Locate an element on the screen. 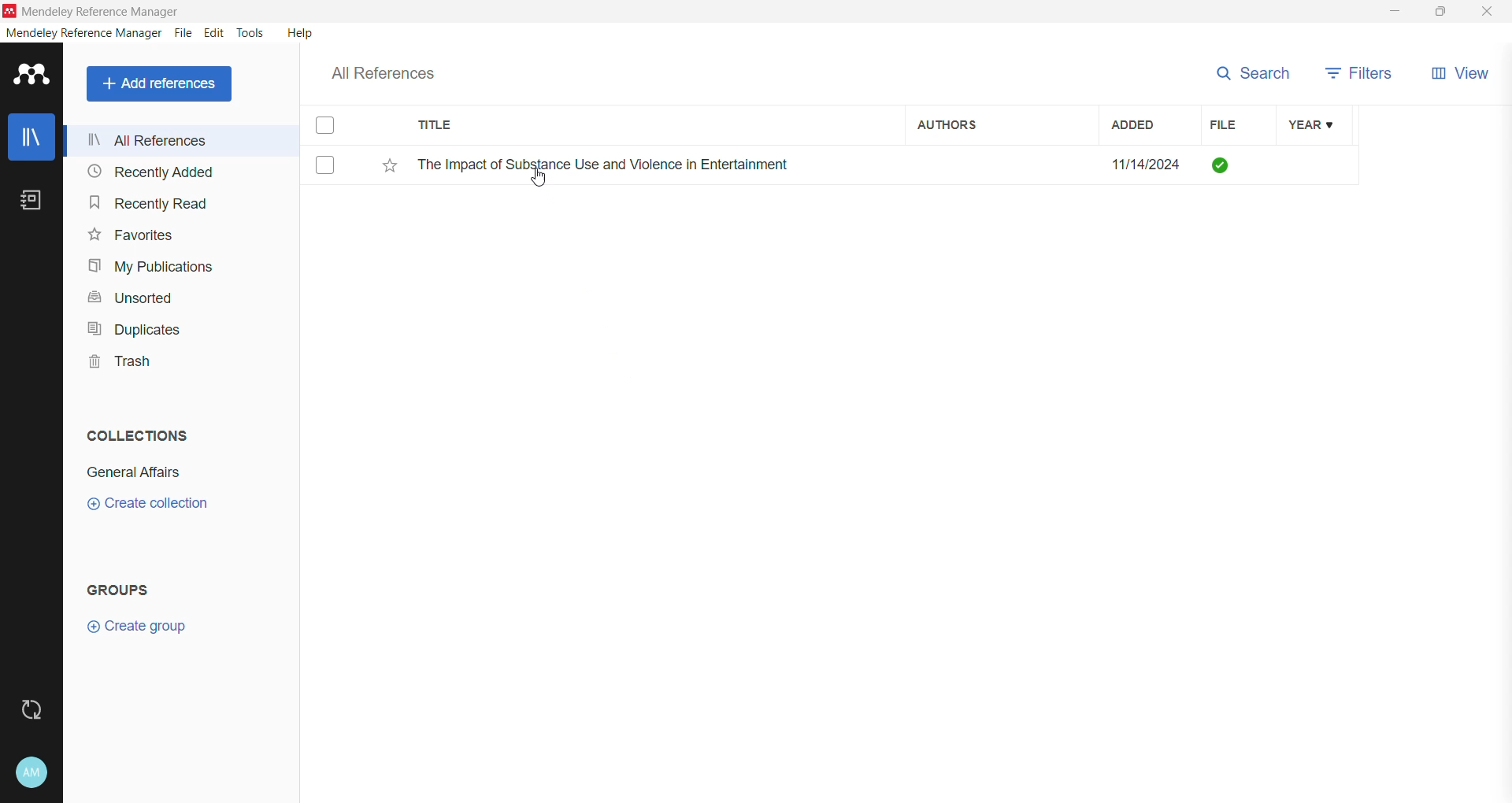  Search is located at coordinates (1256, 72).